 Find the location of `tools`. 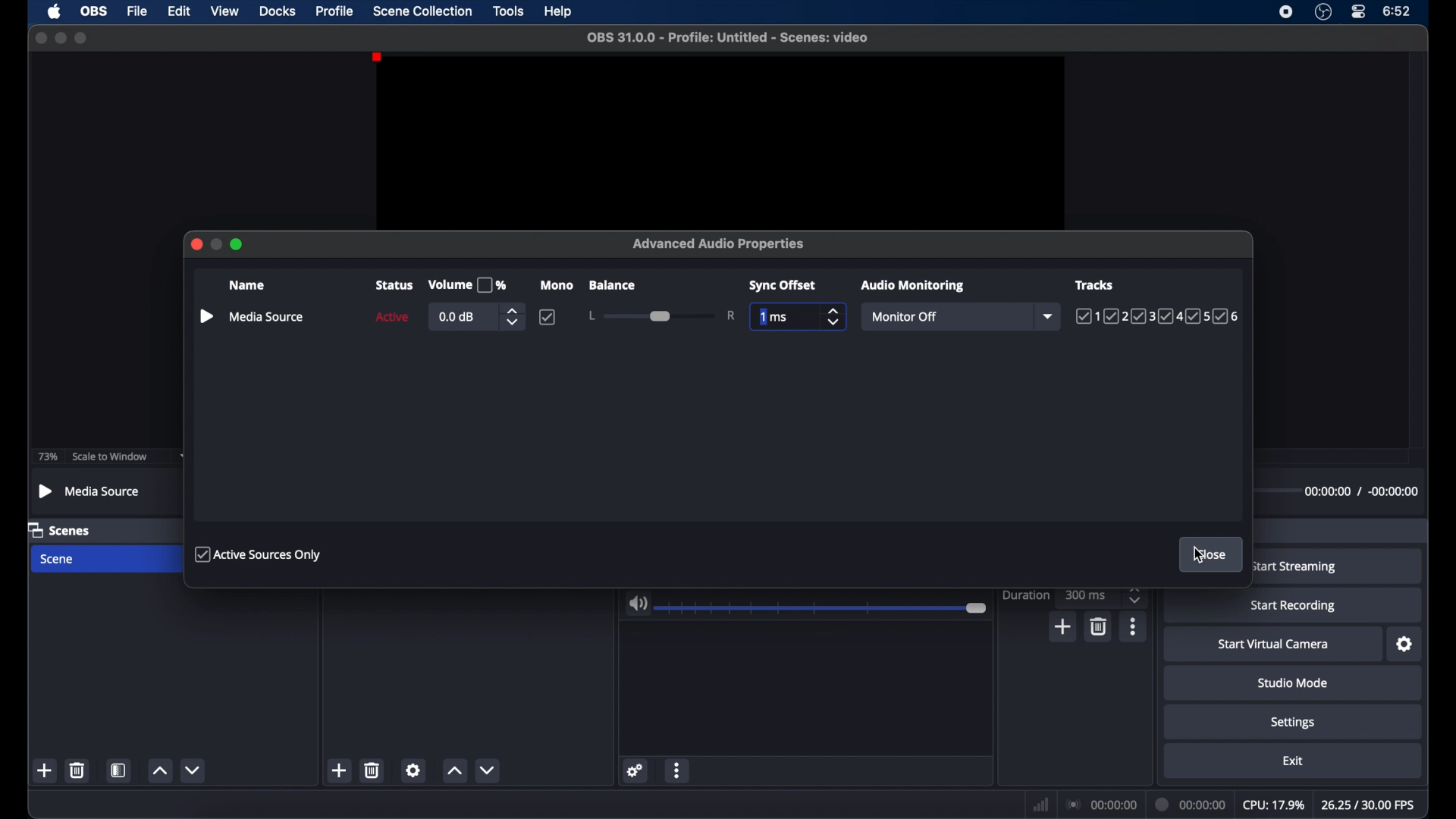

tools is located at coordinates (510, 10).